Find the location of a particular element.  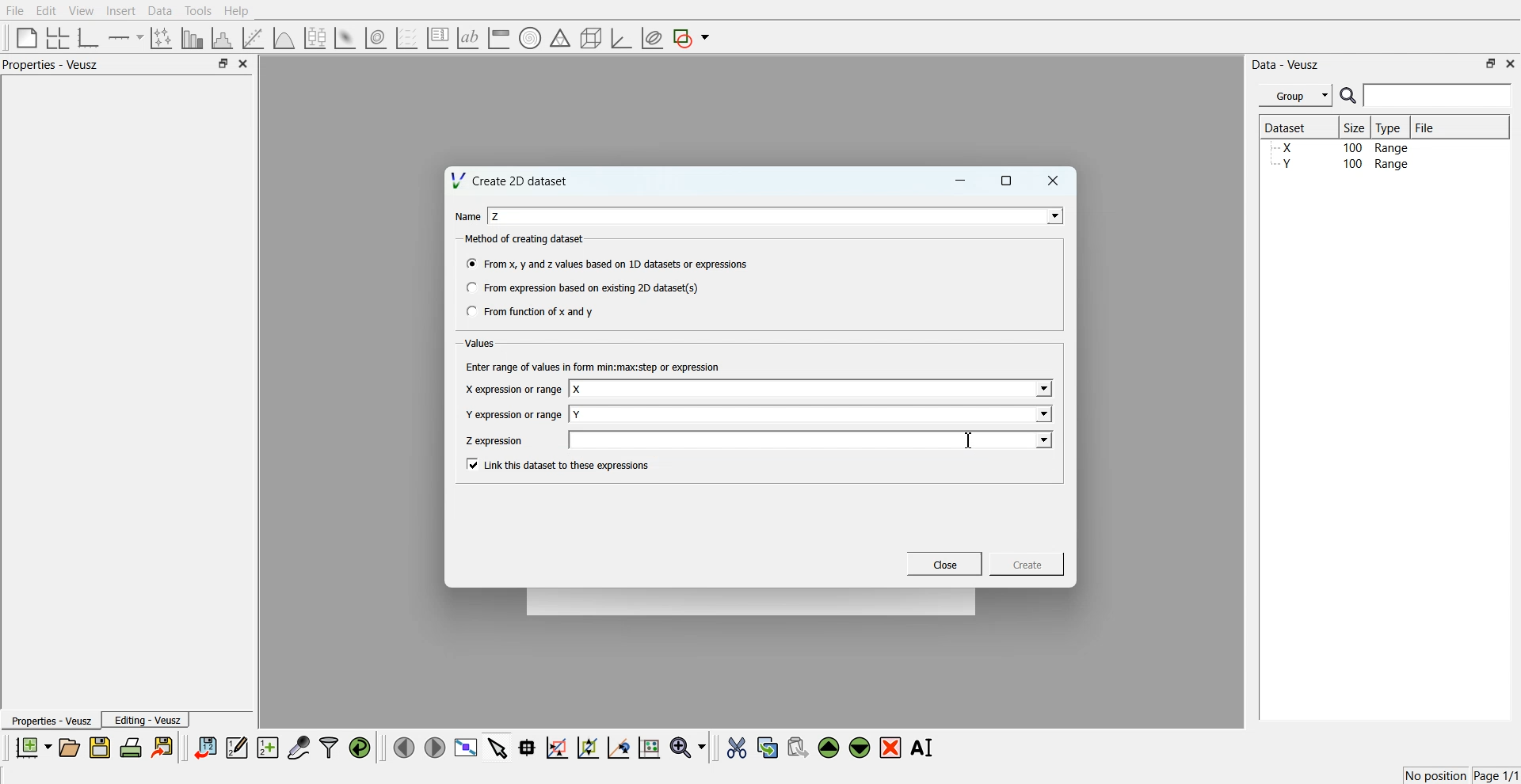

Select items from graph or scroll is located at coordinates (498, 746).